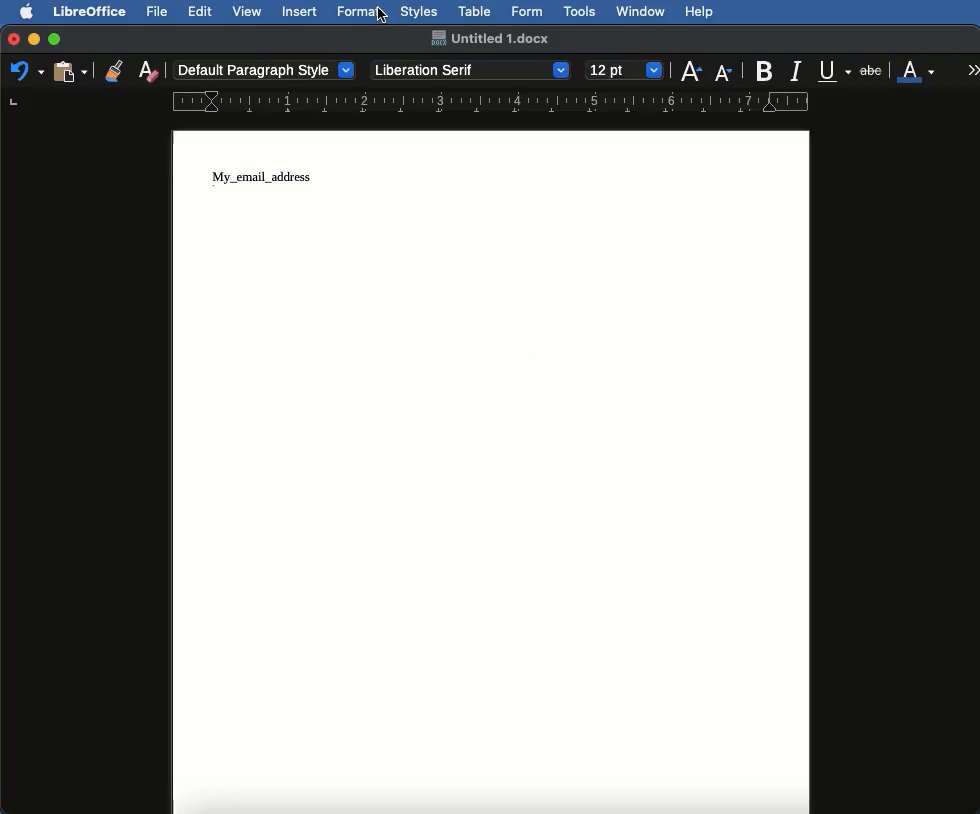  I want to click on Size decrease, so click(728, 72).